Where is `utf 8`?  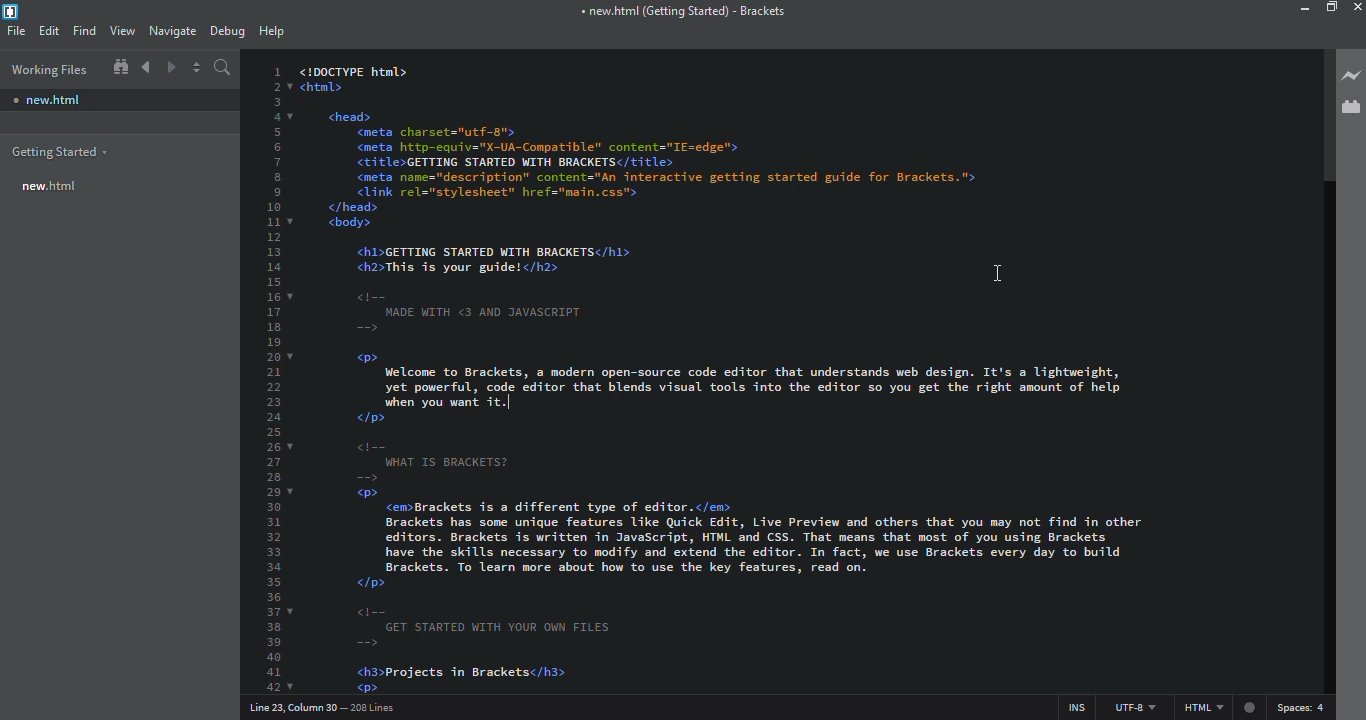 utf 8 is located at coordinates (1131, 703).